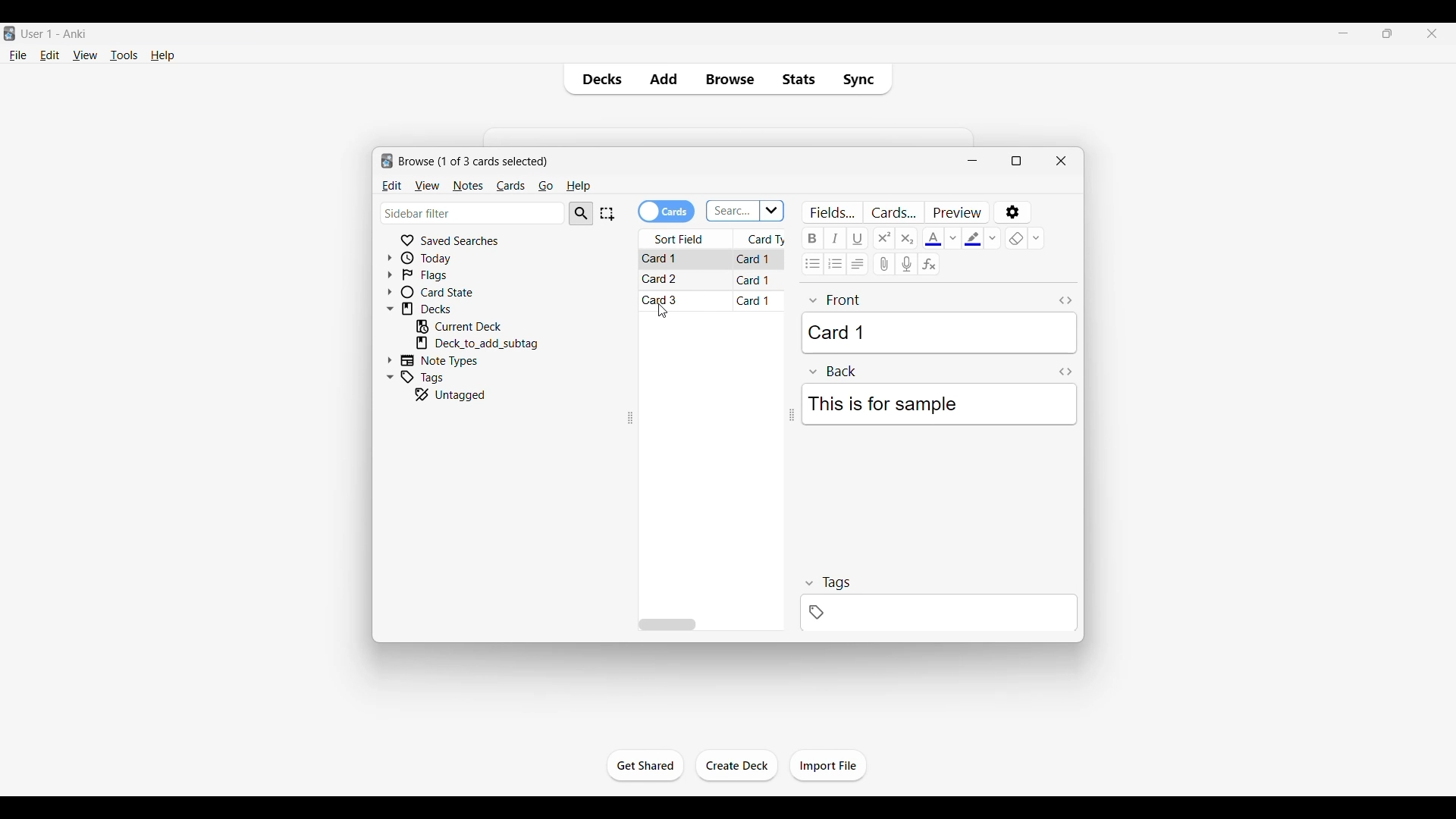  What do you see at coordinates (389, 258) in the screenshot?
I see `Click to expand Today` at bounding box center [389, 258].